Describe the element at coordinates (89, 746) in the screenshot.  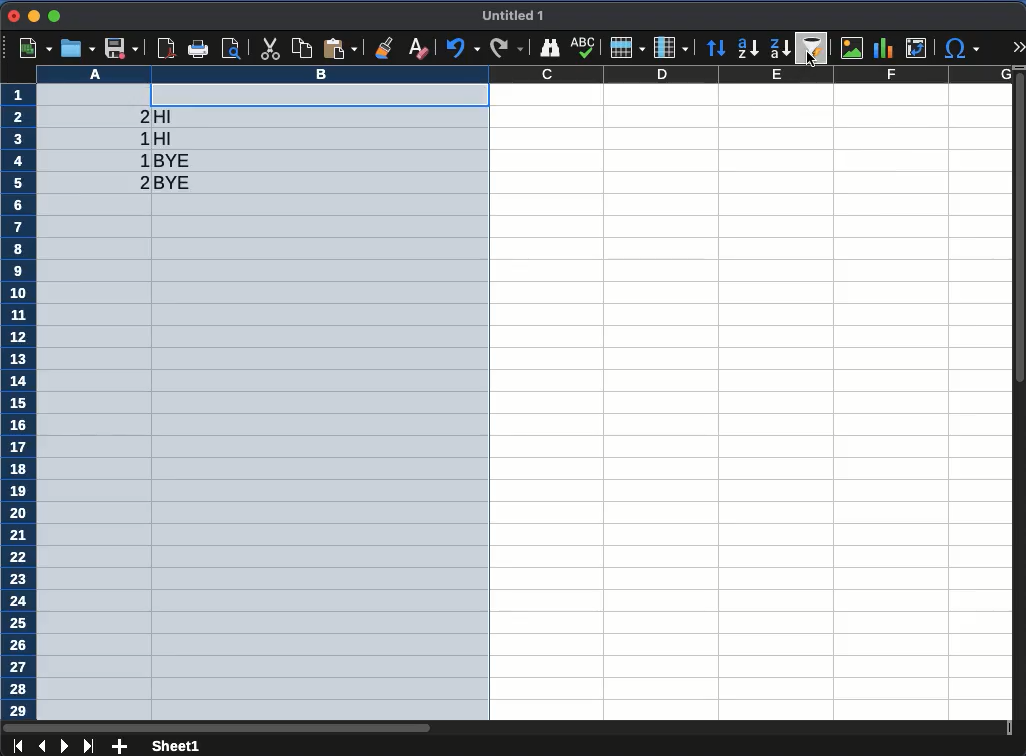
I see `last sheet` at that location.